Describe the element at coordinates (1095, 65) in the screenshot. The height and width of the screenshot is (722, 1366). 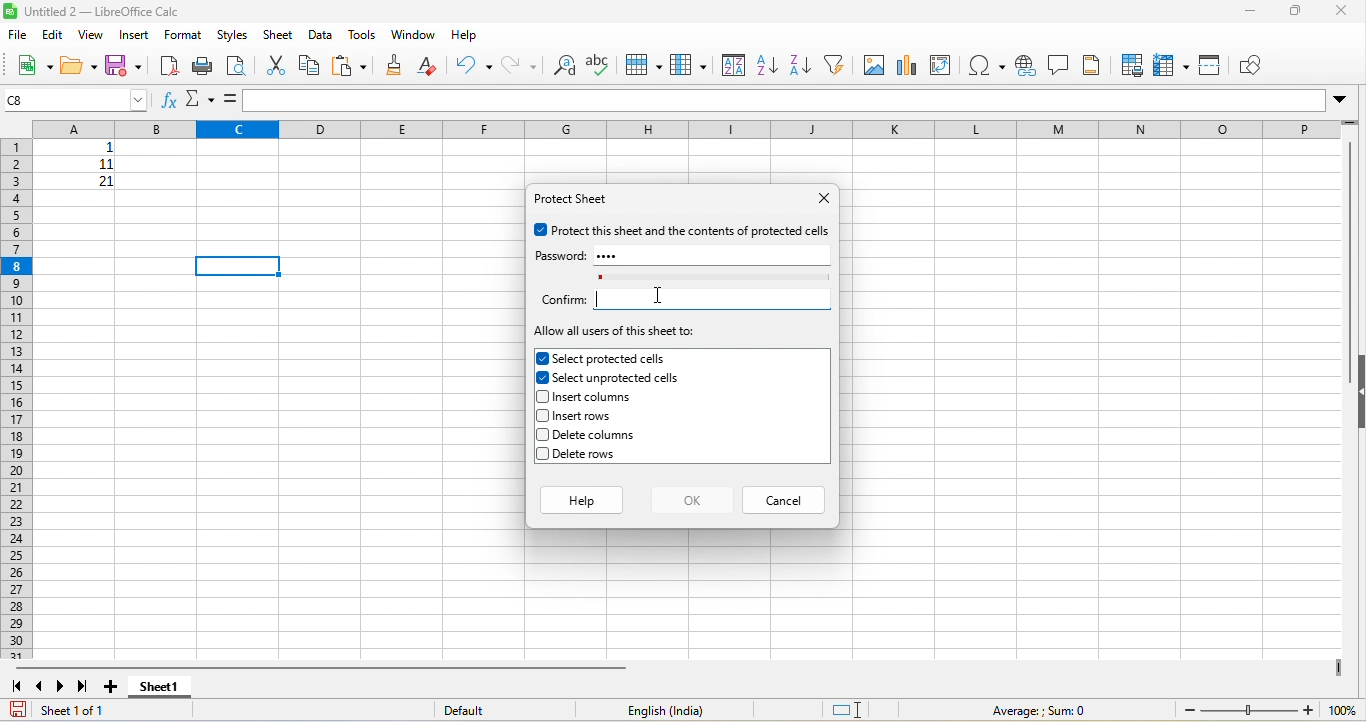
I see `header and footer` at that location.